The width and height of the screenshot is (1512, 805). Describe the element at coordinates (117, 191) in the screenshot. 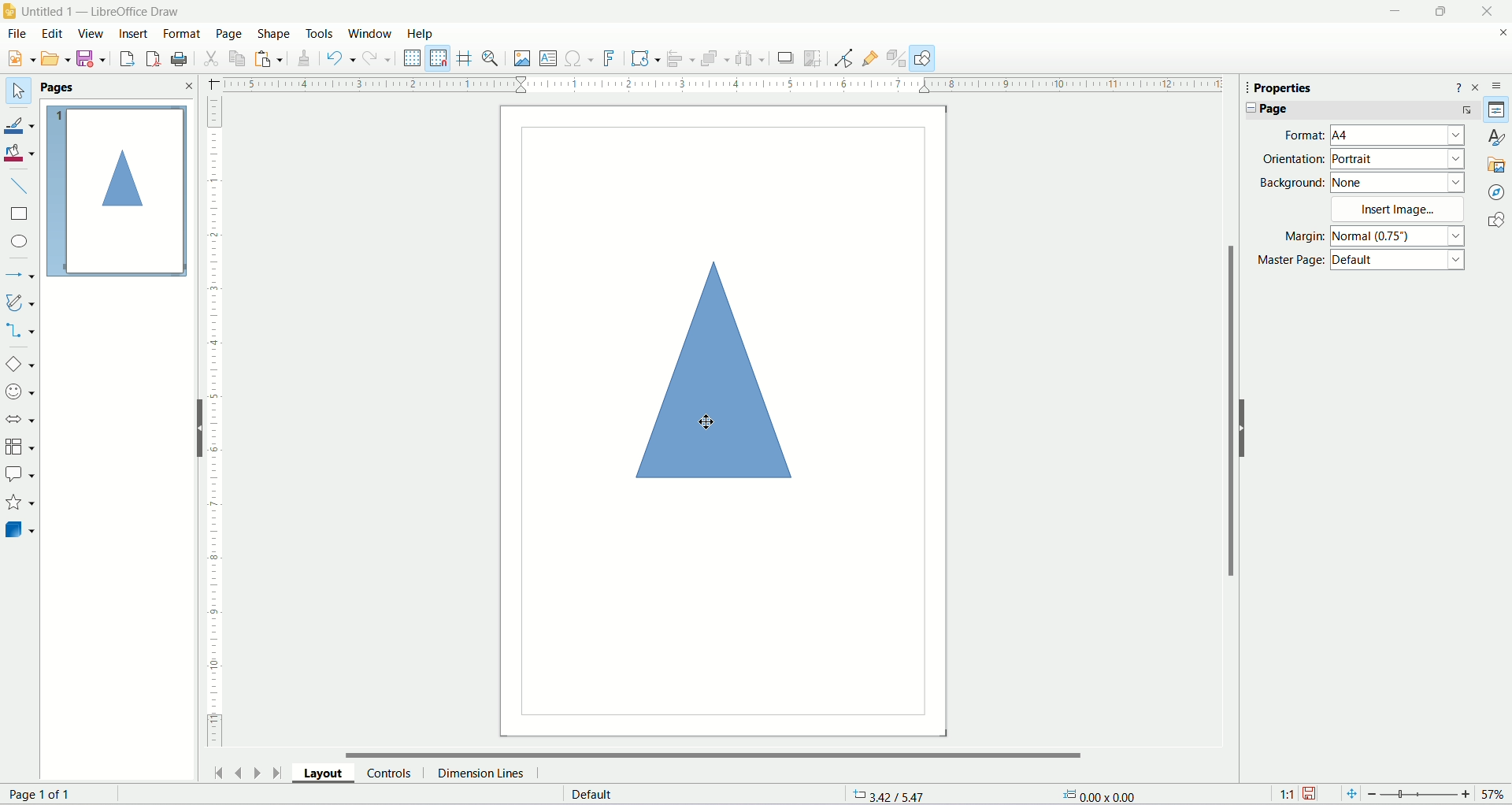

I see `Page outline` at that location.